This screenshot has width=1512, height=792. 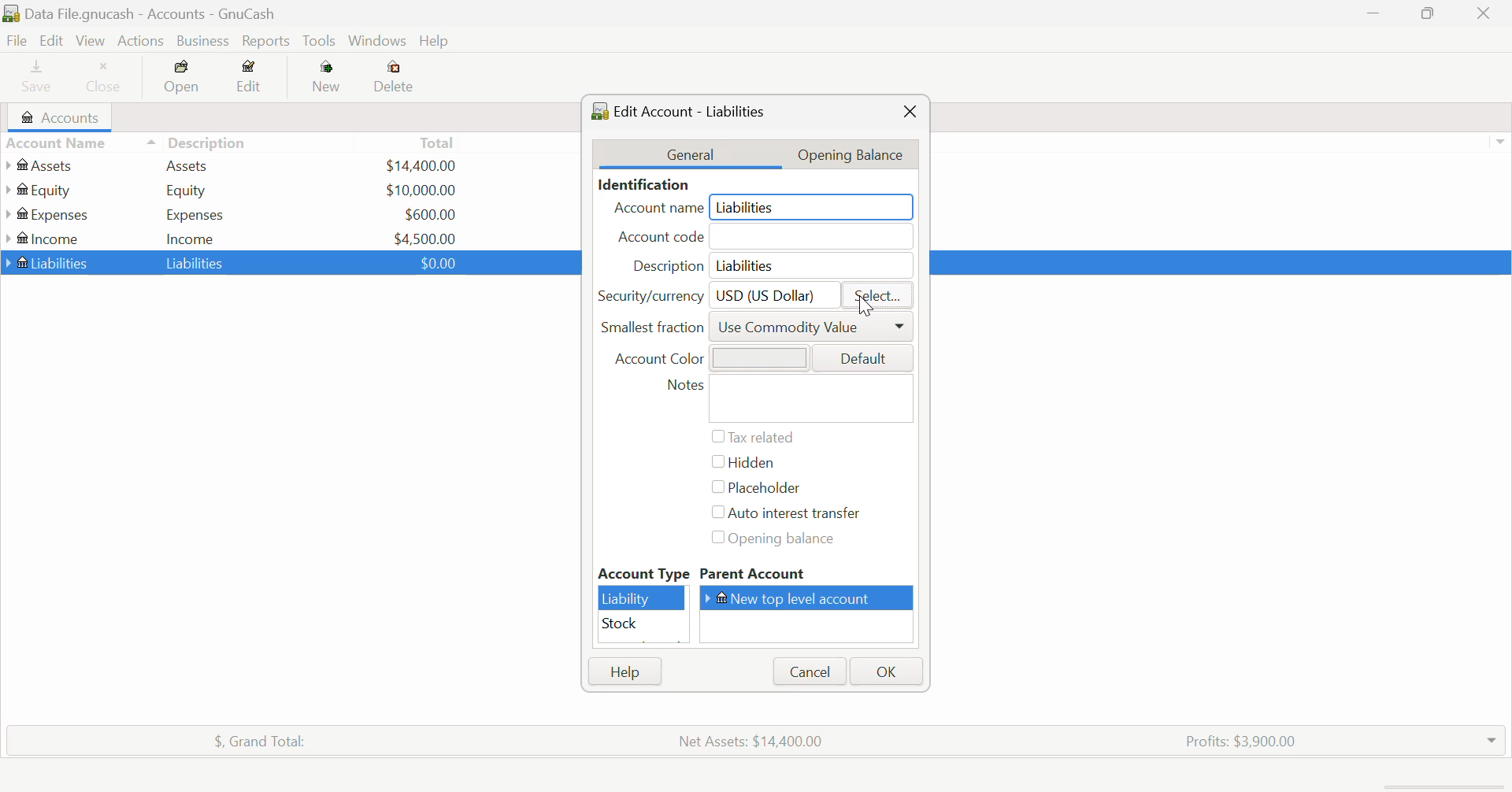 What do you see at coordinates (191, 238) in the screenshot?
I see `Income` at bounding box center [191, 238].